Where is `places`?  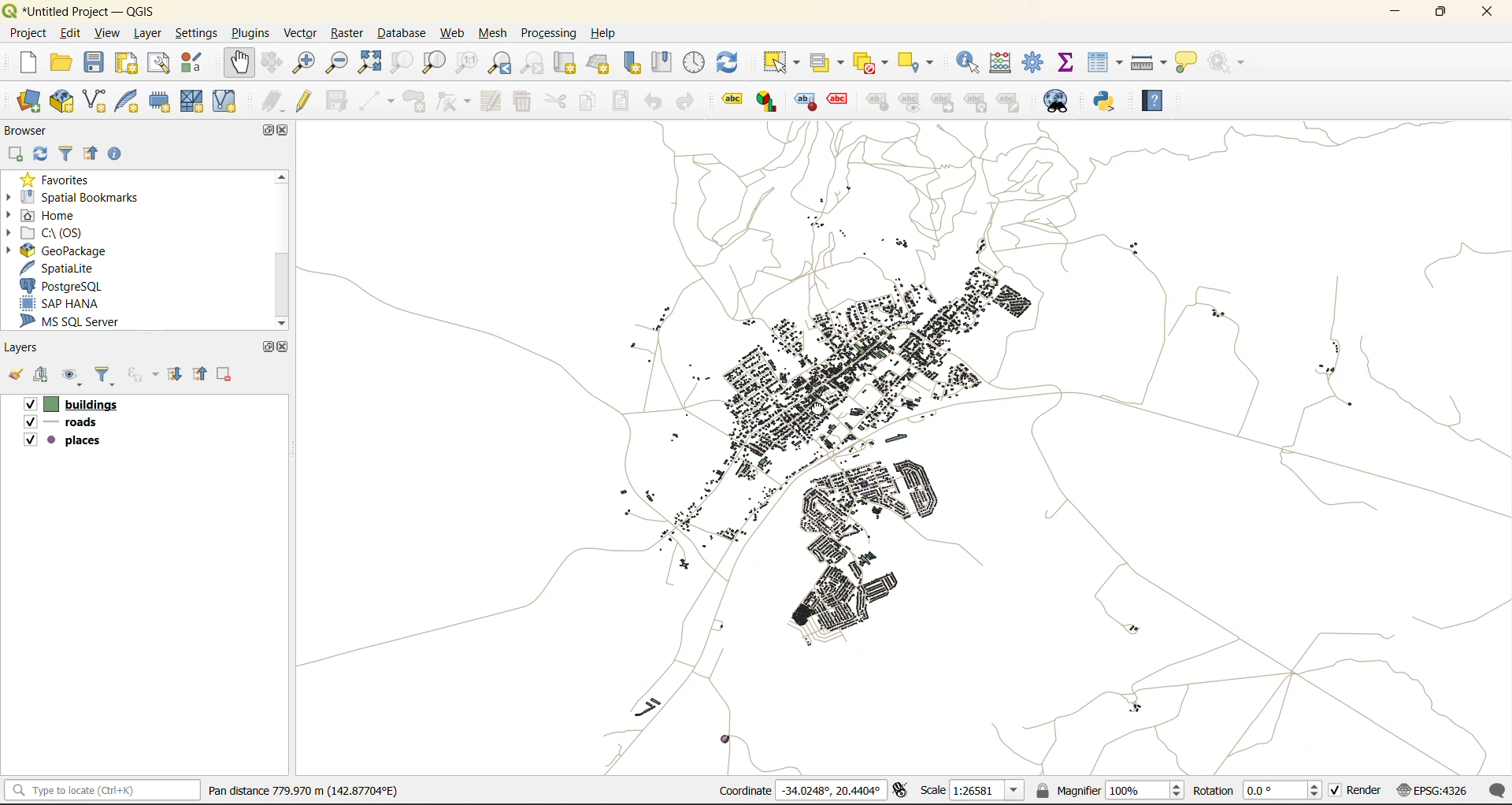 places is located at coordinates (66, 442).